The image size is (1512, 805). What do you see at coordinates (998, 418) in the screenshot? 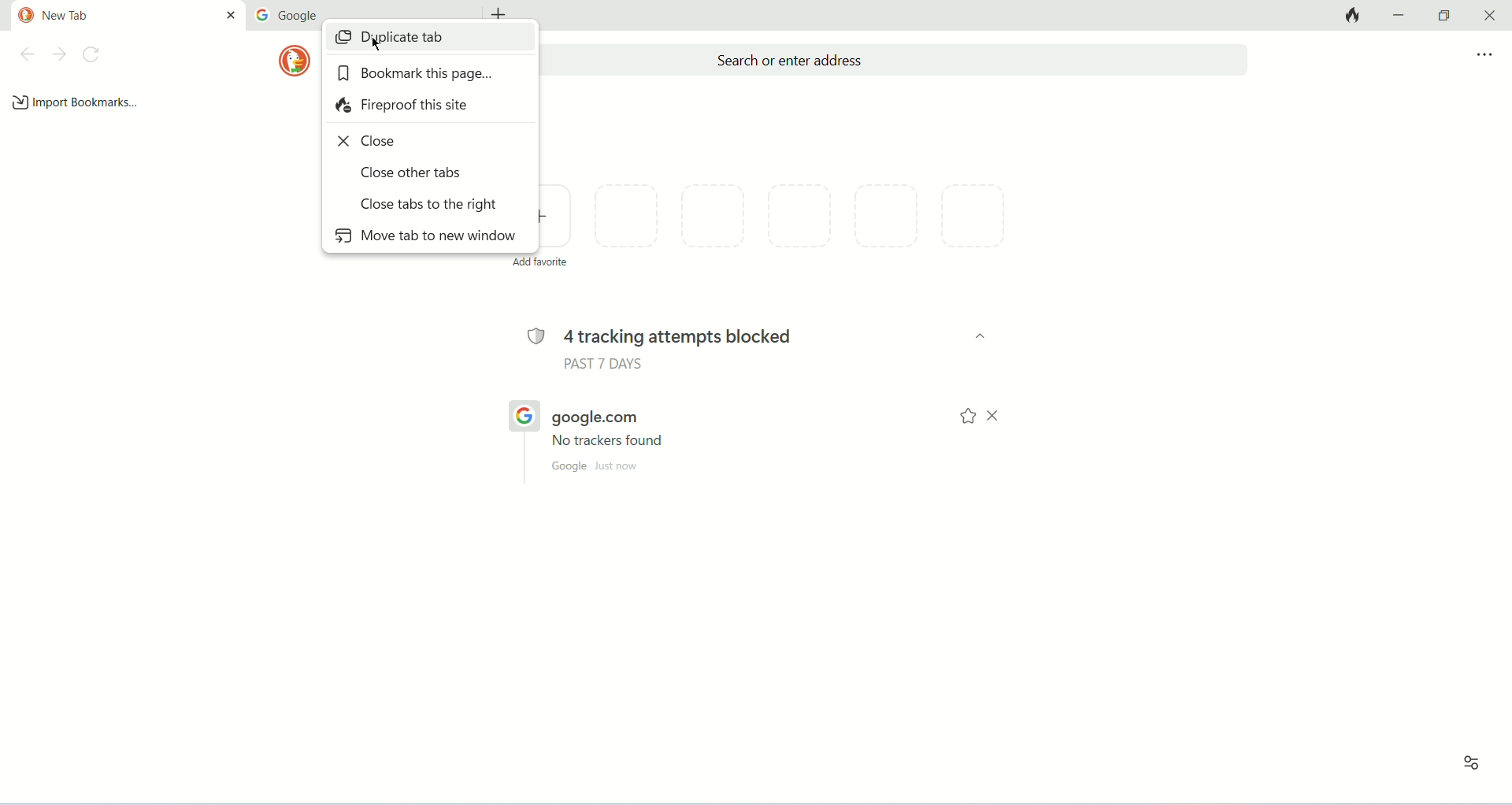
I see `close` at bounding box center [998, 418].